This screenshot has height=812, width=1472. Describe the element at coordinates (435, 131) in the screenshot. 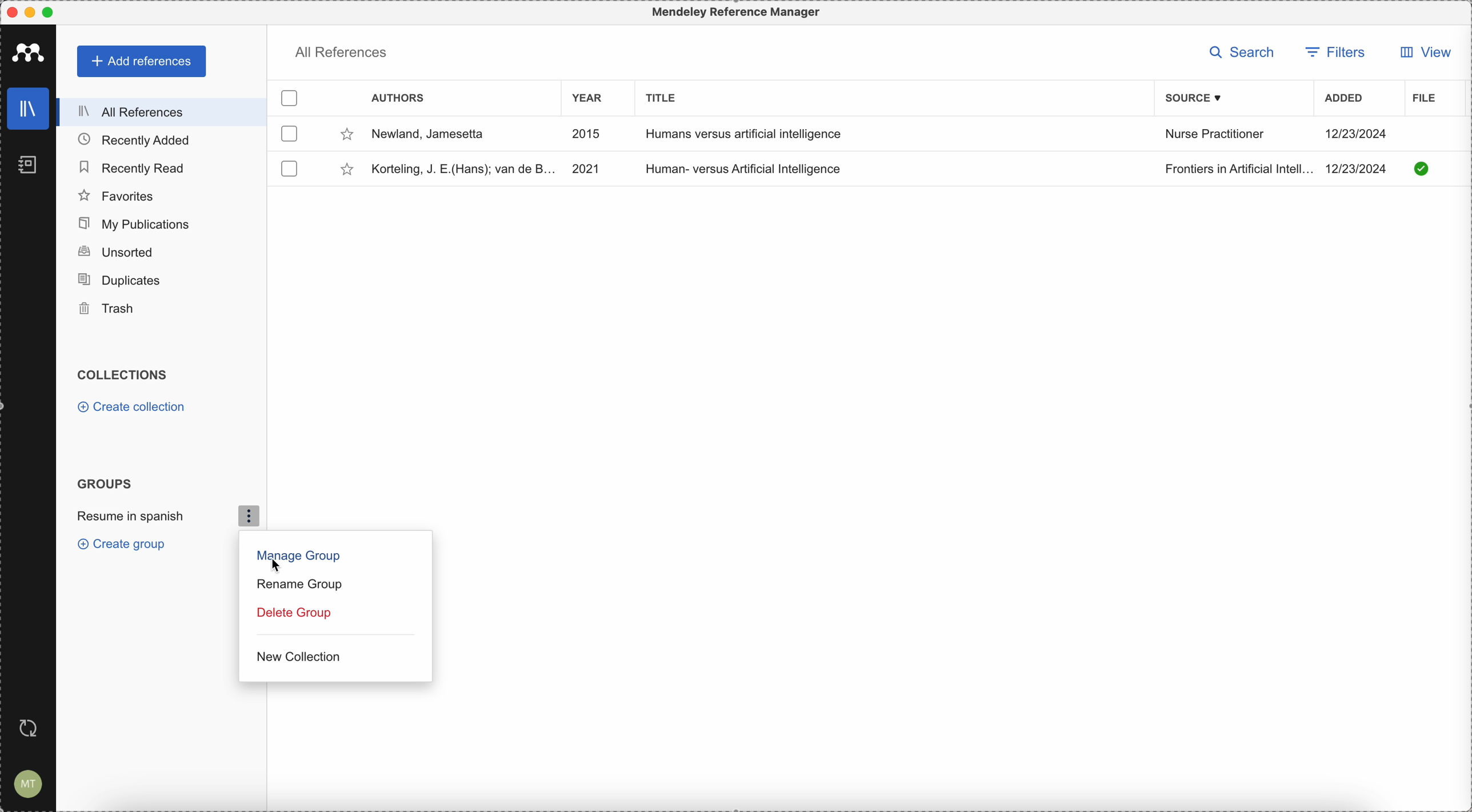

I see `Newland, Jamesetta` at that location.